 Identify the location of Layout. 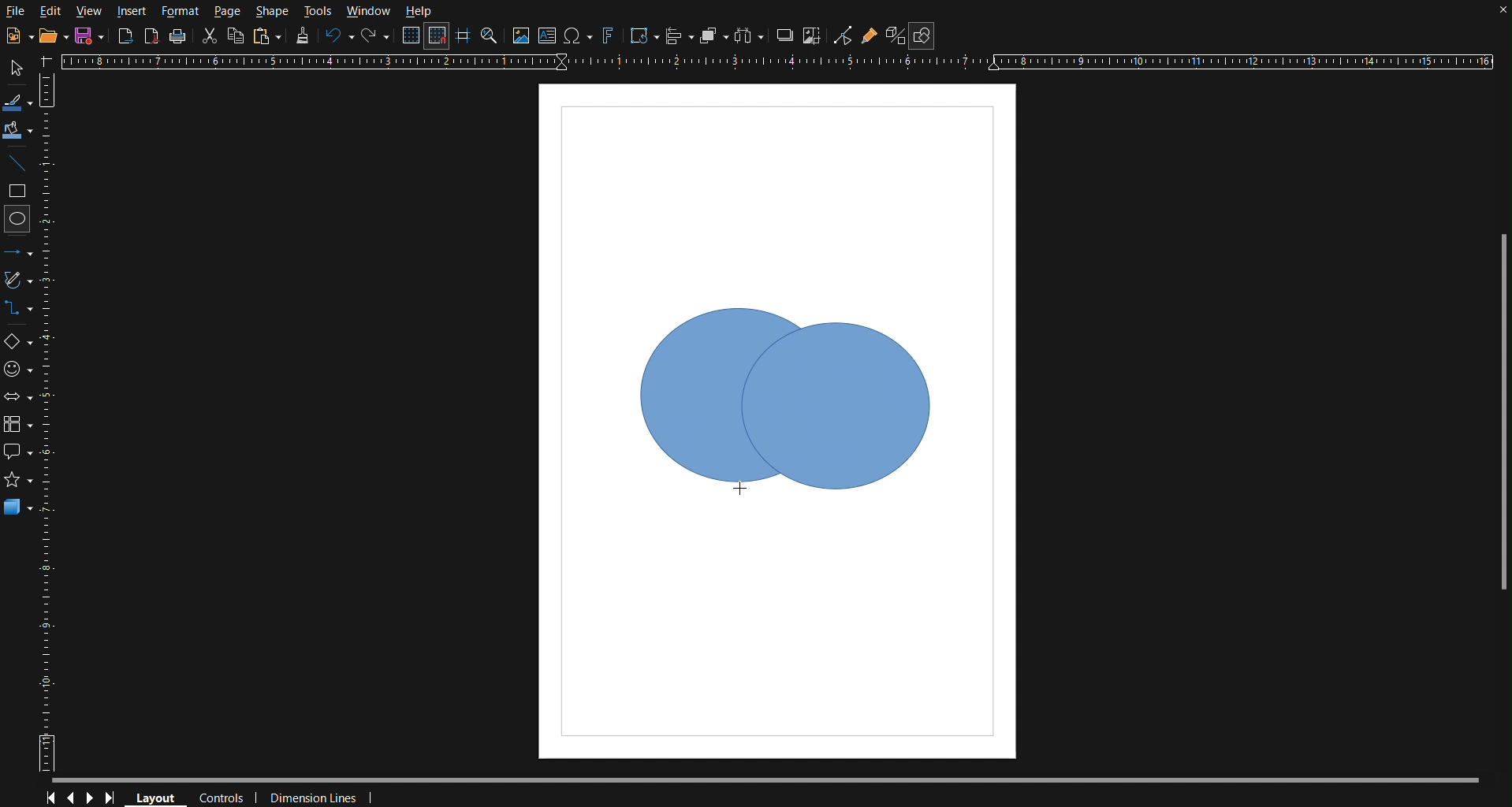
(161, 796).